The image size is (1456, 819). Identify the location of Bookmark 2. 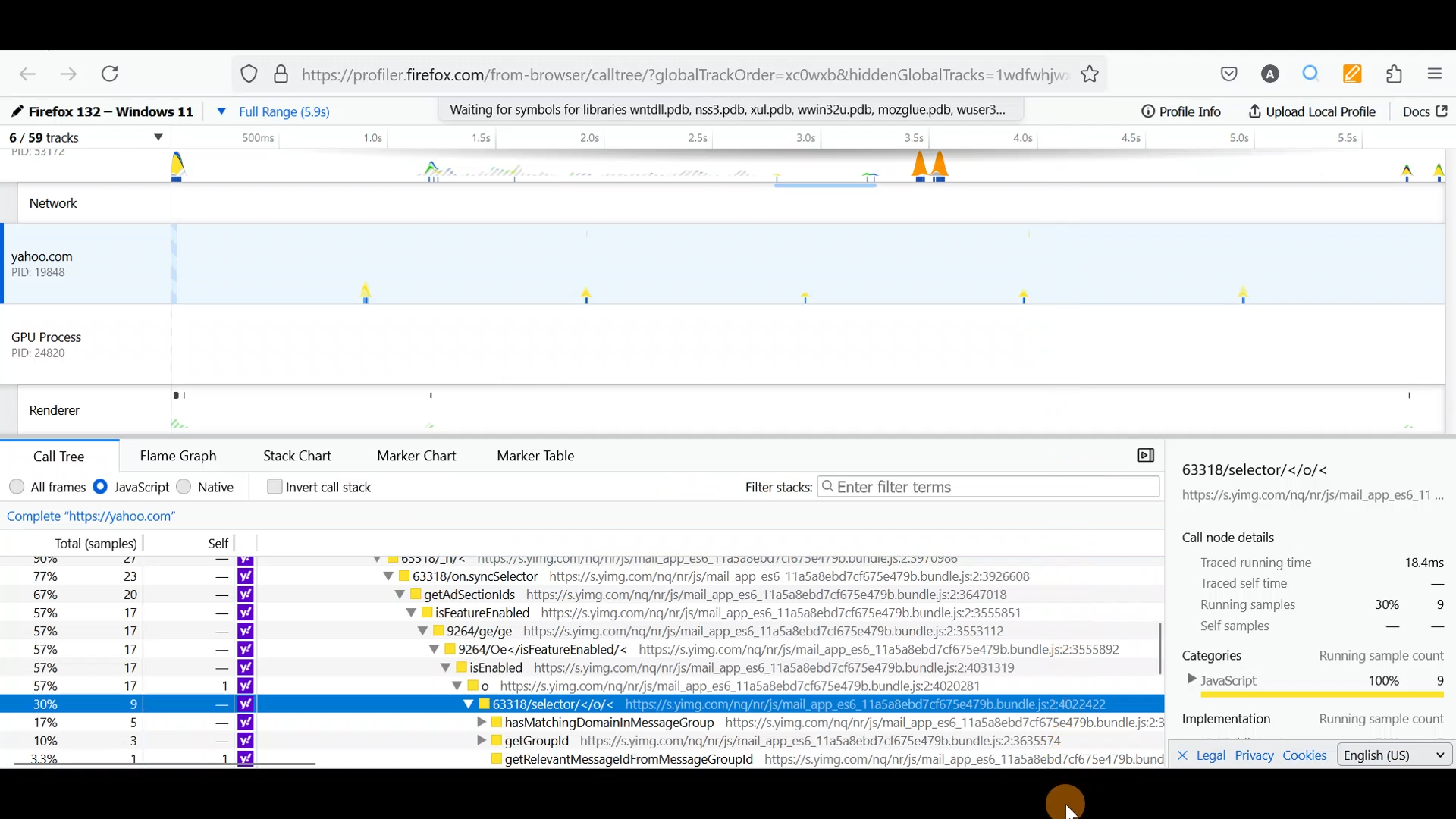
(303, 108).